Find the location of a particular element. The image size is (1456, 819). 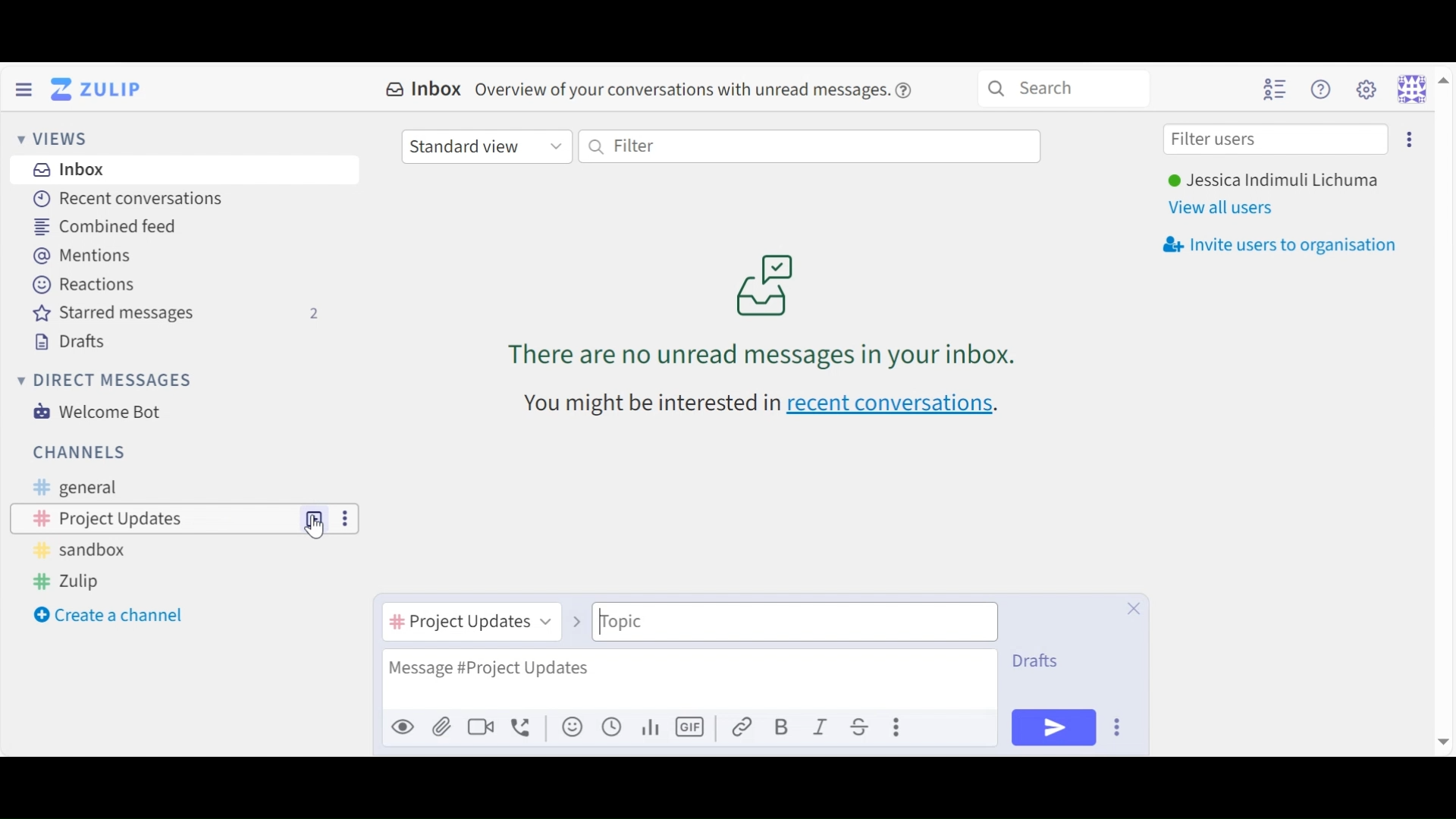

Go to Home View is located at coordinates (99, 89).